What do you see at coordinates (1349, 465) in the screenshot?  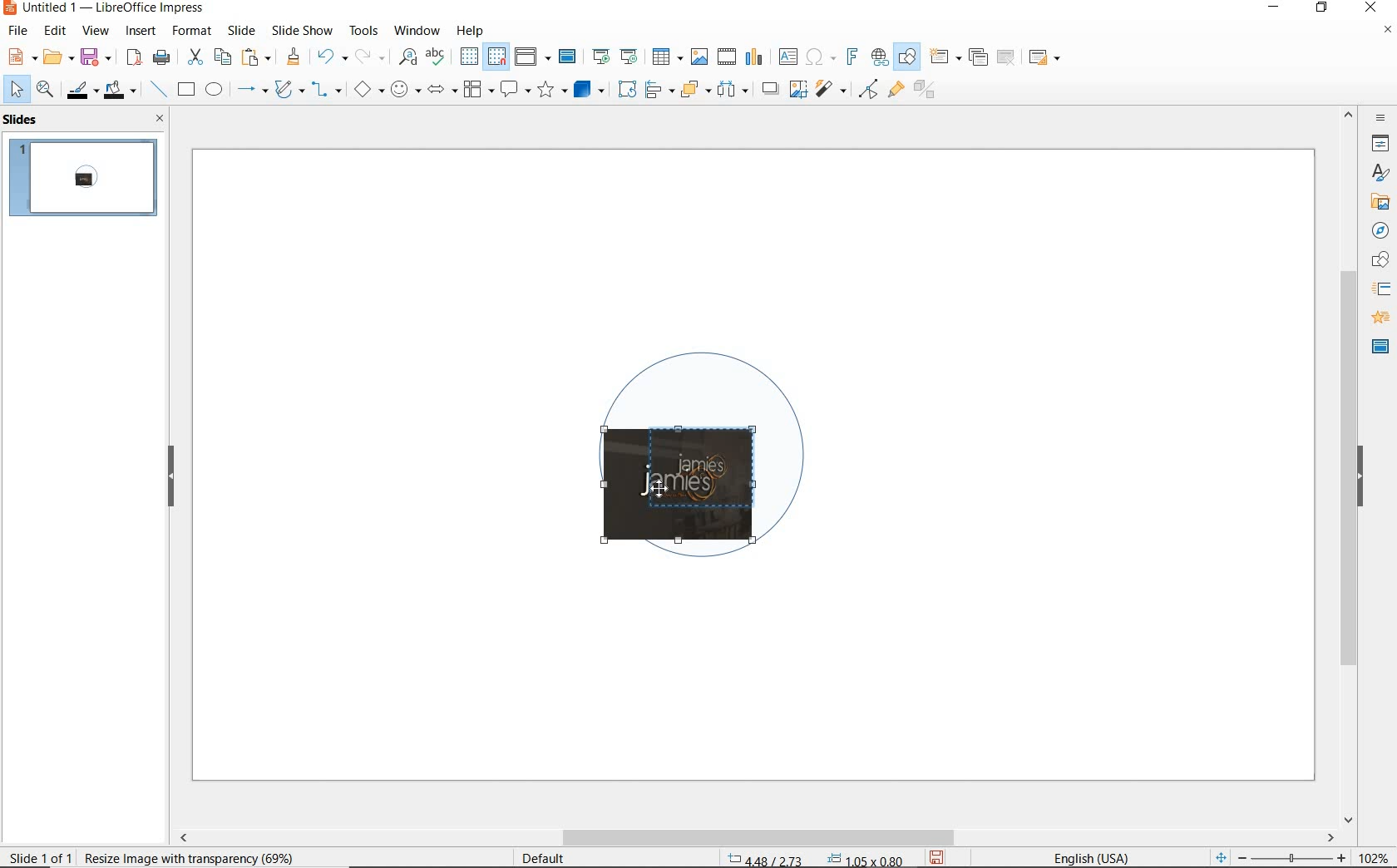 I see `scrollbar` at bounding box center [1349, 465].